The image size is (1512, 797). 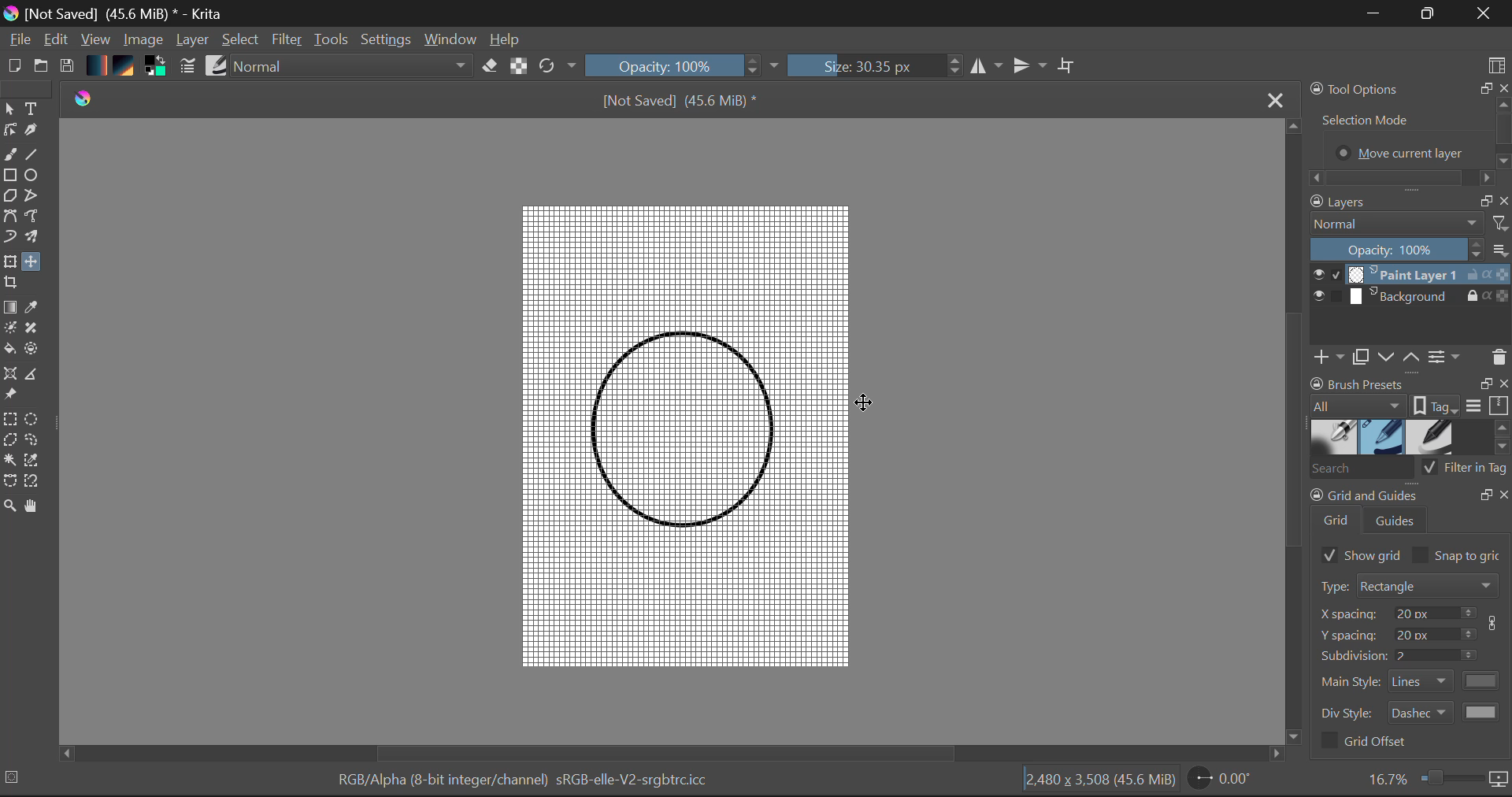 What do you see at coordinates (9, 176) in the screenshot?
I see `Rectangle` at bounding box center [9, 176].